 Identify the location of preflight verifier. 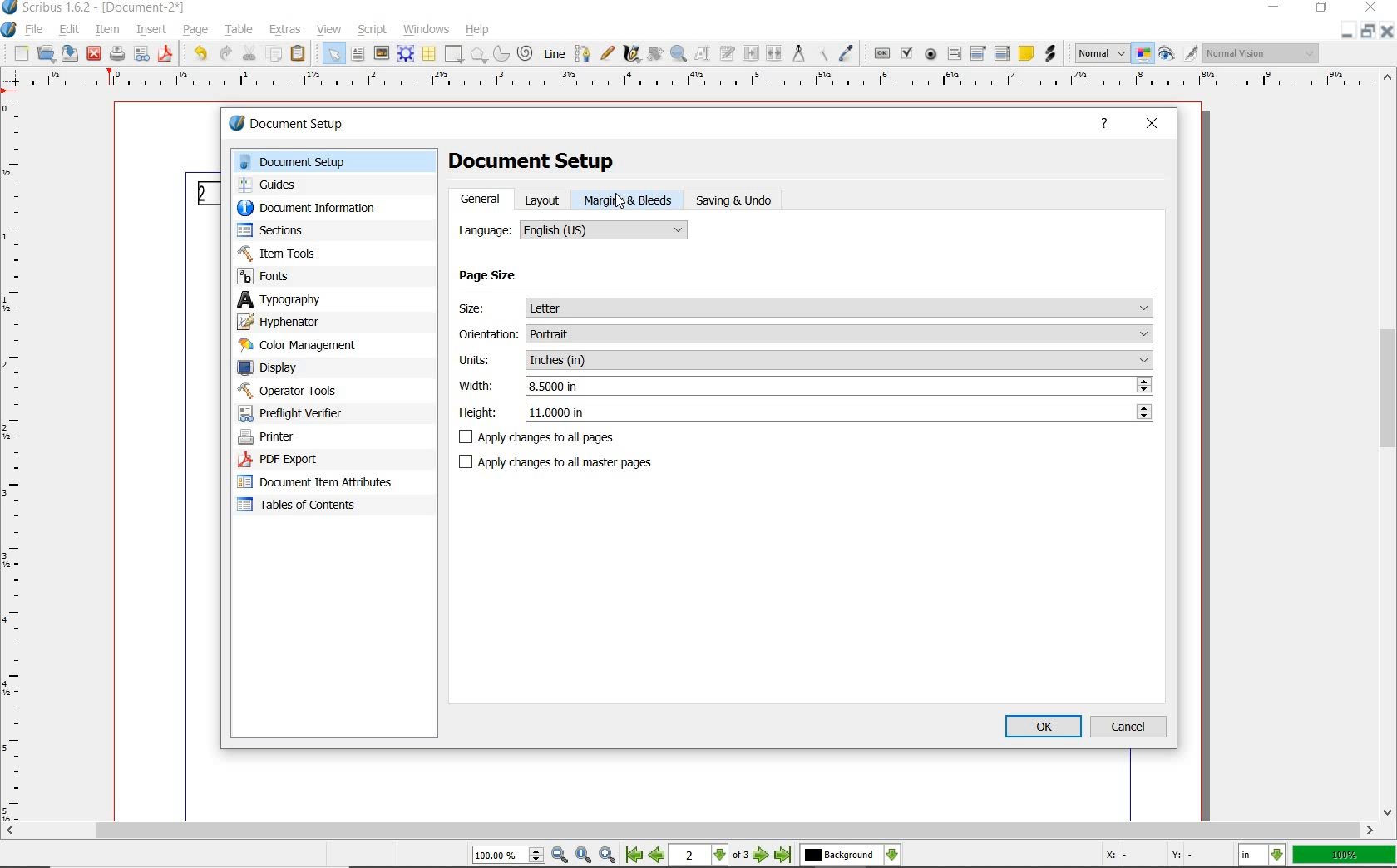
(143, 54).